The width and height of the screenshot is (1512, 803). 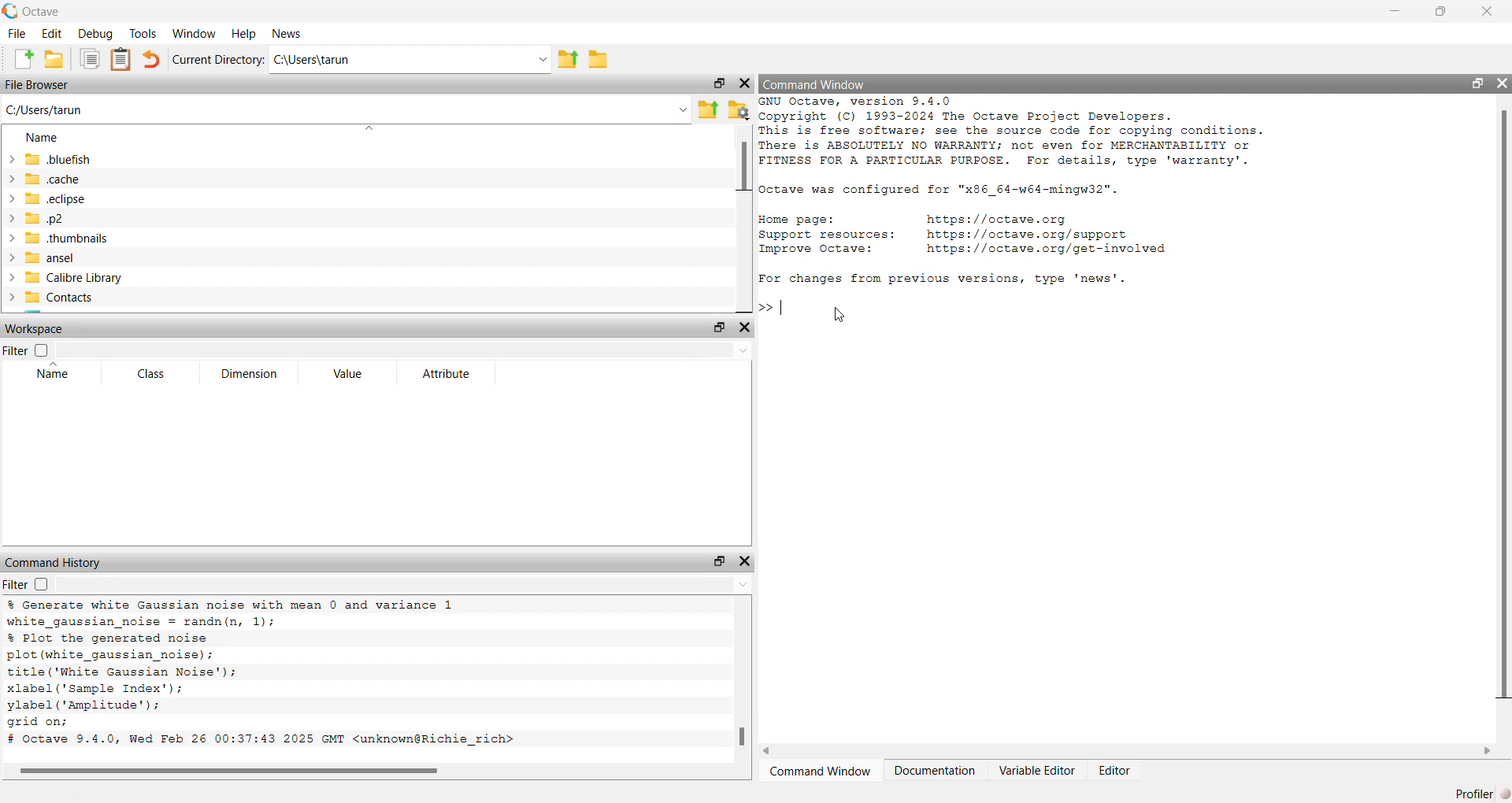 What do you see at coordinates (779, 308) in the screenshot?
I see `typing cursor` at bounding box center [779, 308].